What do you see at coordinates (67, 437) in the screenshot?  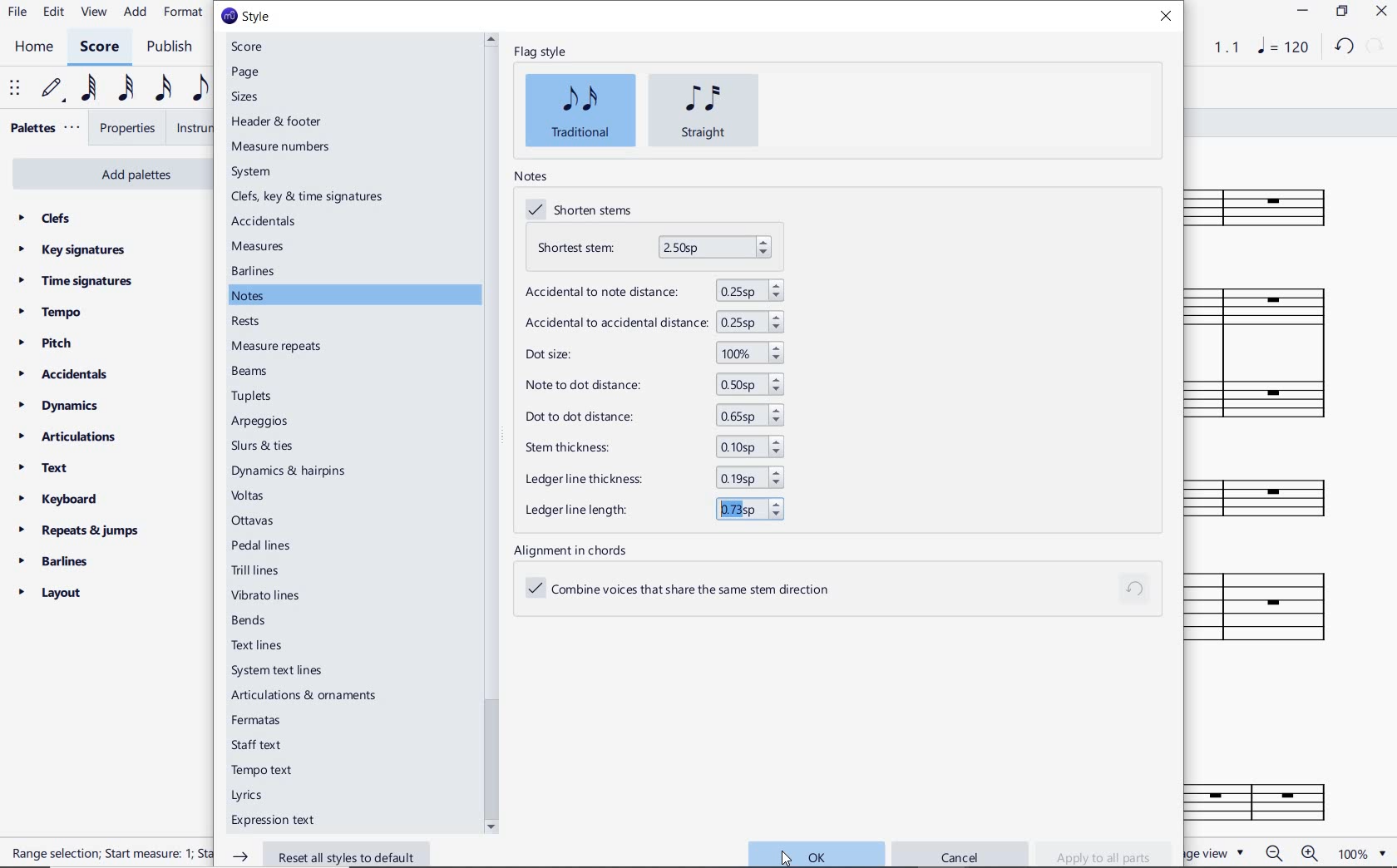 I see `articulations` at bounding box center [67, 437].